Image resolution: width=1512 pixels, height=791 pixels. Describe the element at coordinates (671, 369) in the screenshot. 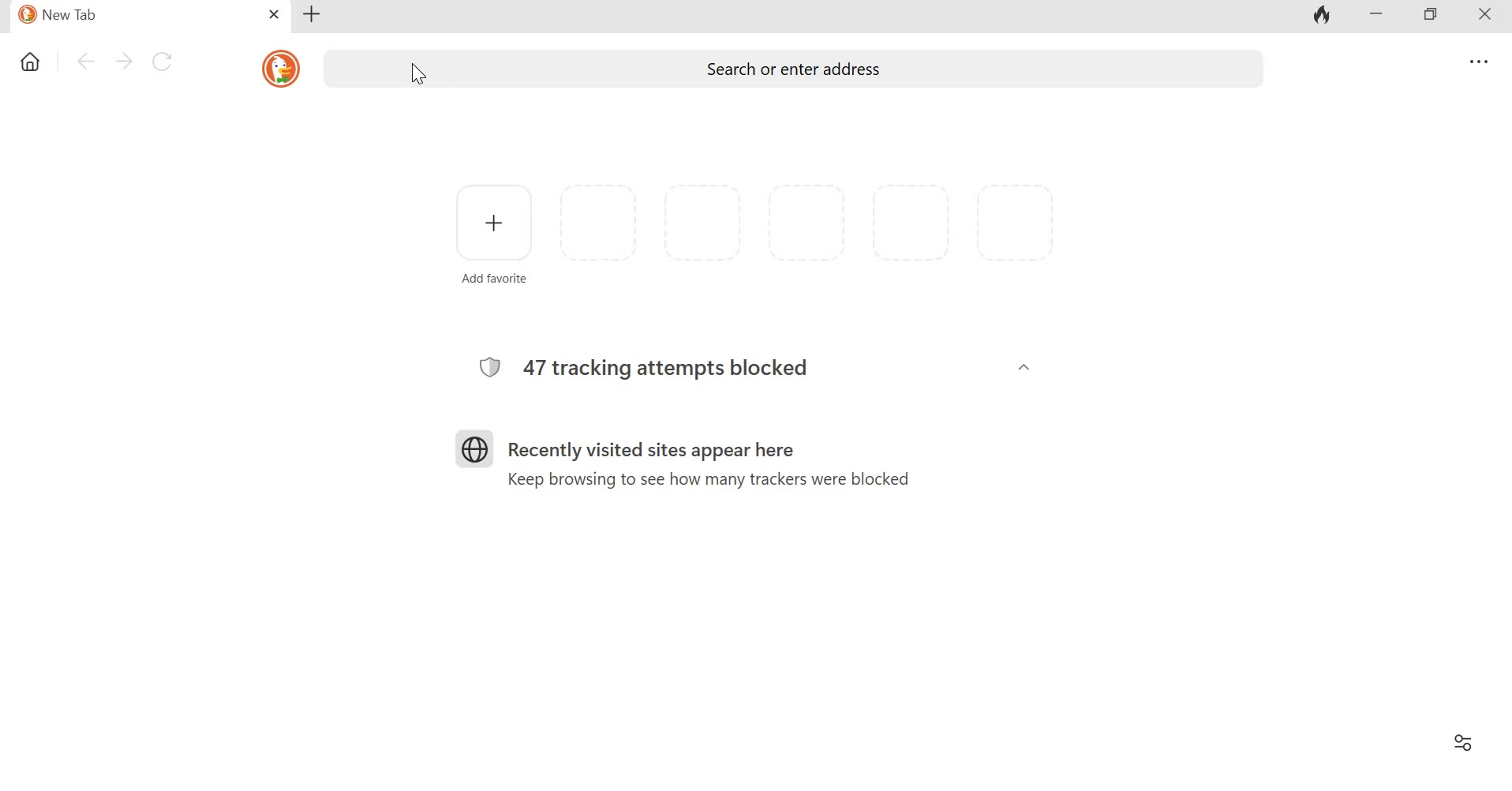

I see `47 tracking attempts blocked` at that location.